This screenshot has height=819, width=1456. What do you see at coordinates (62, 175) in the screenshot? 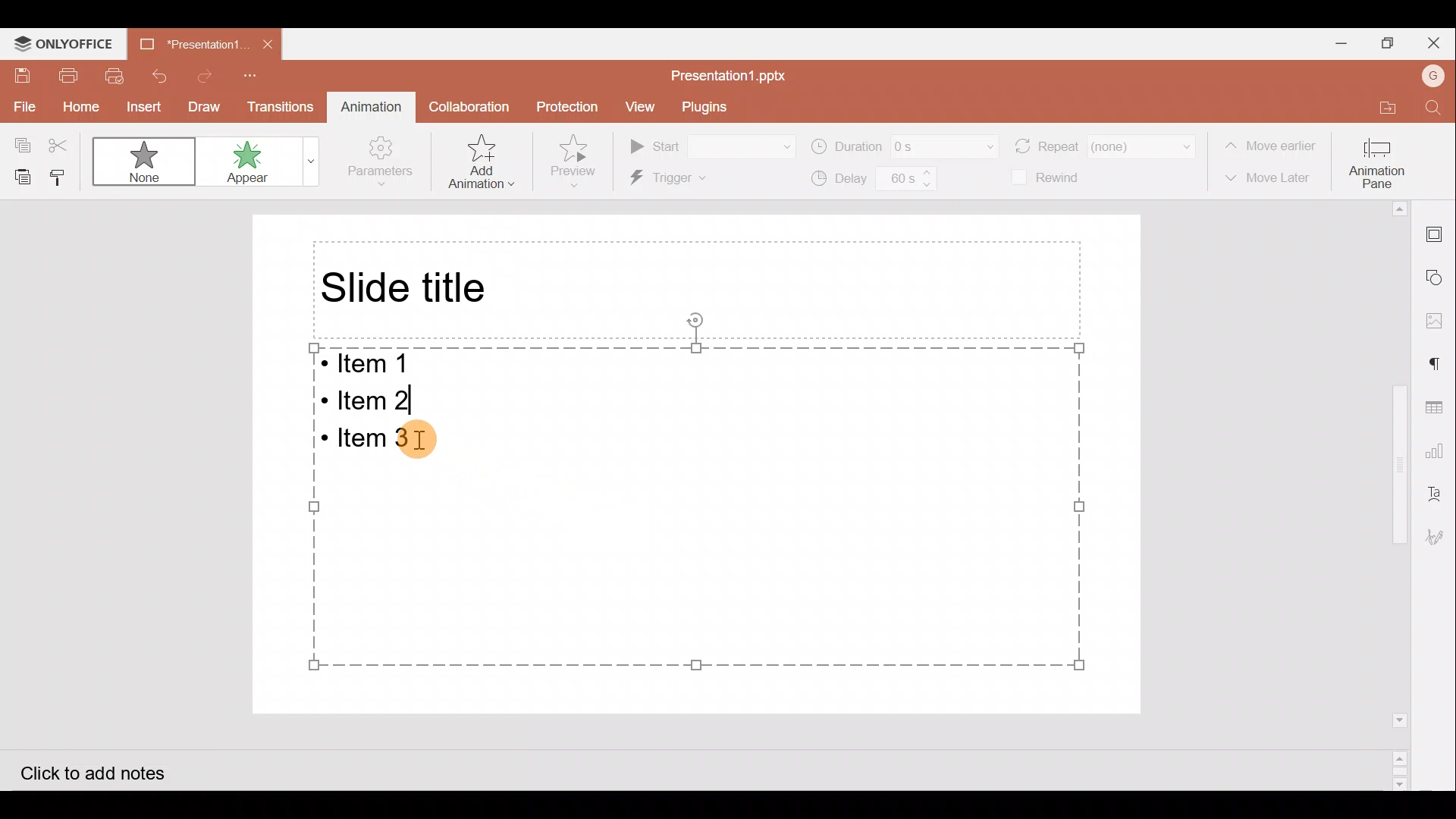
I see `Copy style` at bounding box center [62, 175].